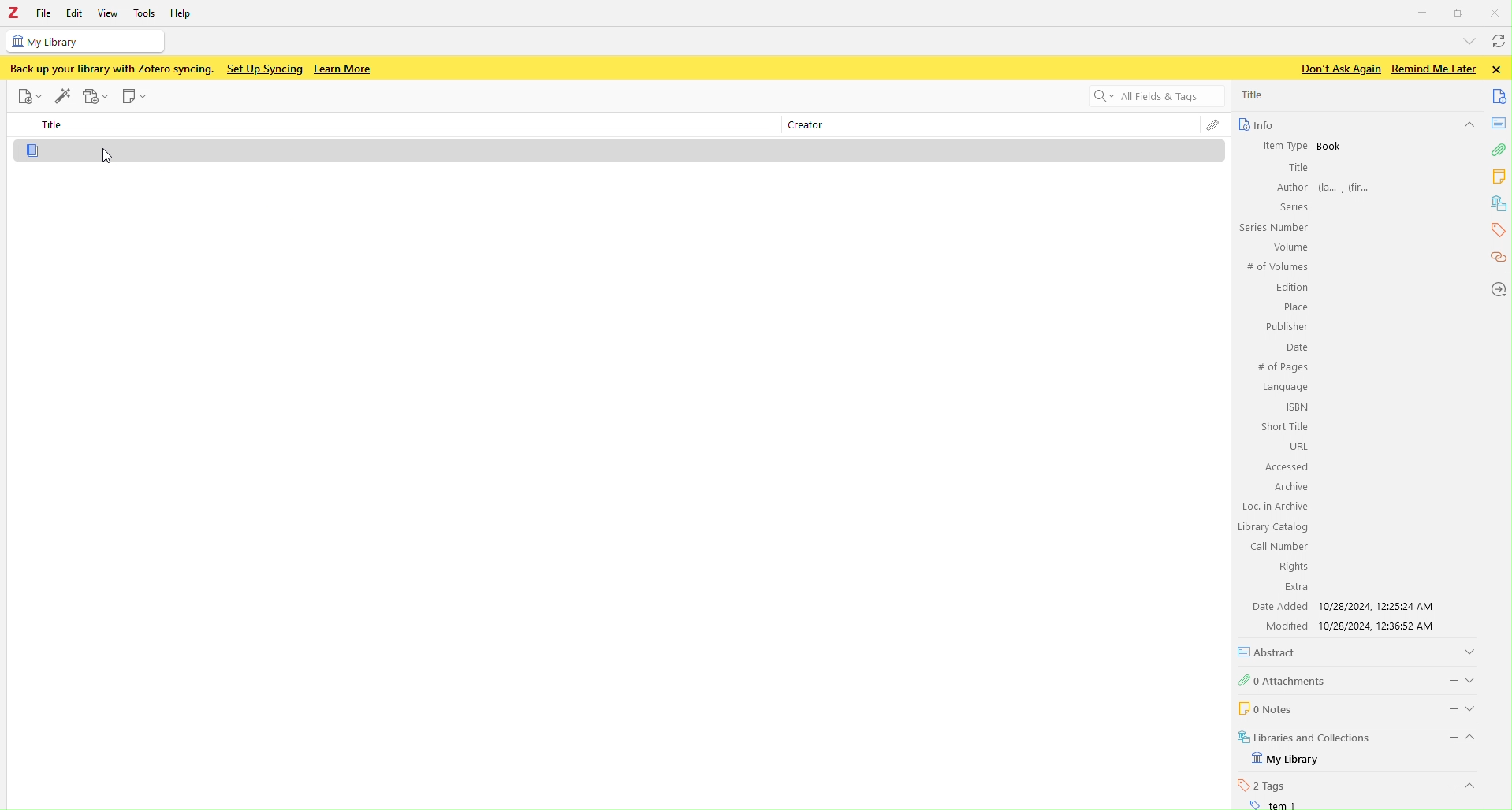  Describe the element at coordinates (1447, 738) in the screenshot. I see `add` at that location.